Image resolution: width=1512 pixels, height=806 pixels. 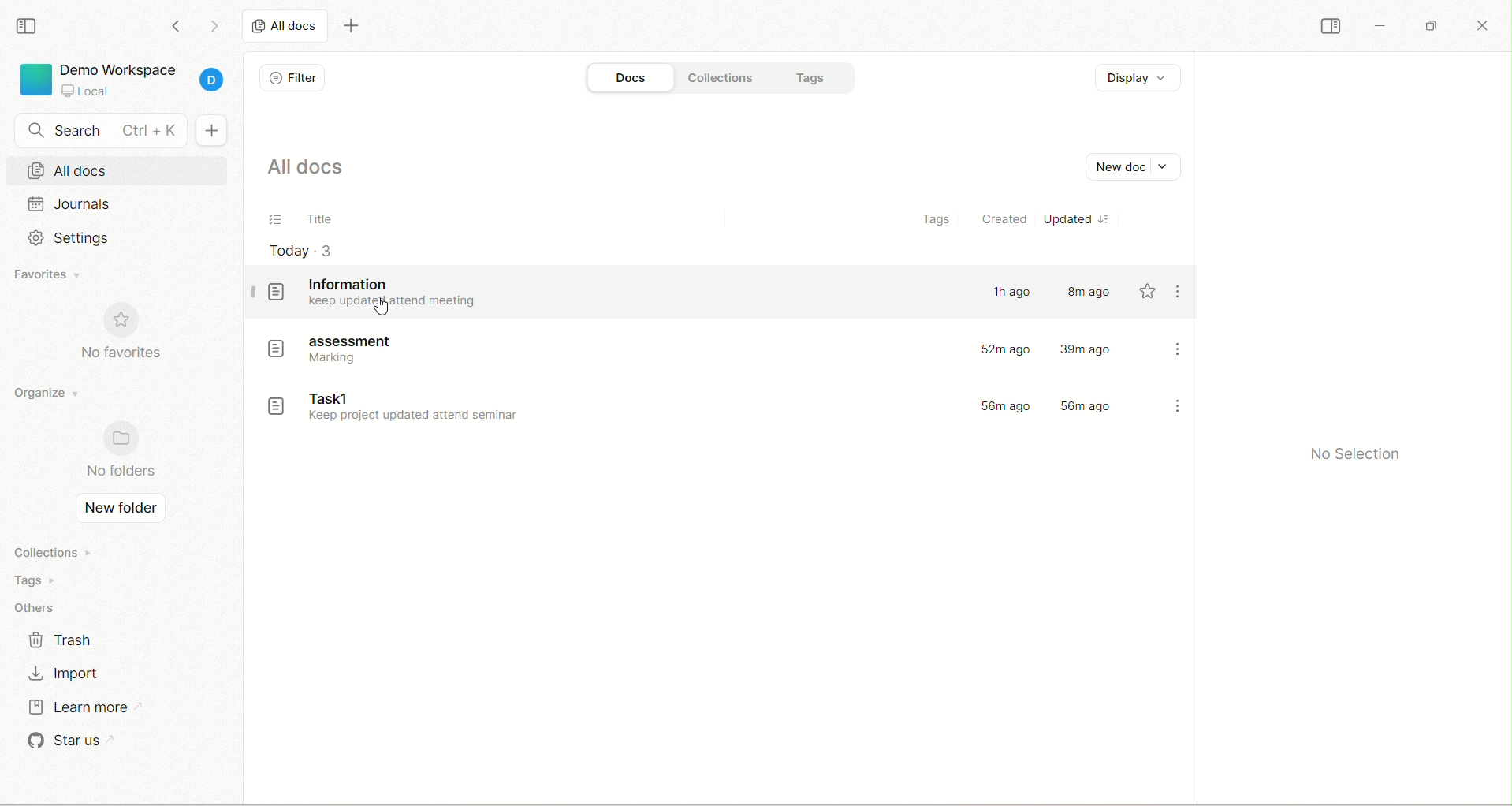 What do you see at coordinates (37, 610) in the screenshot?
I see `others` at bounding box center [37, 610].